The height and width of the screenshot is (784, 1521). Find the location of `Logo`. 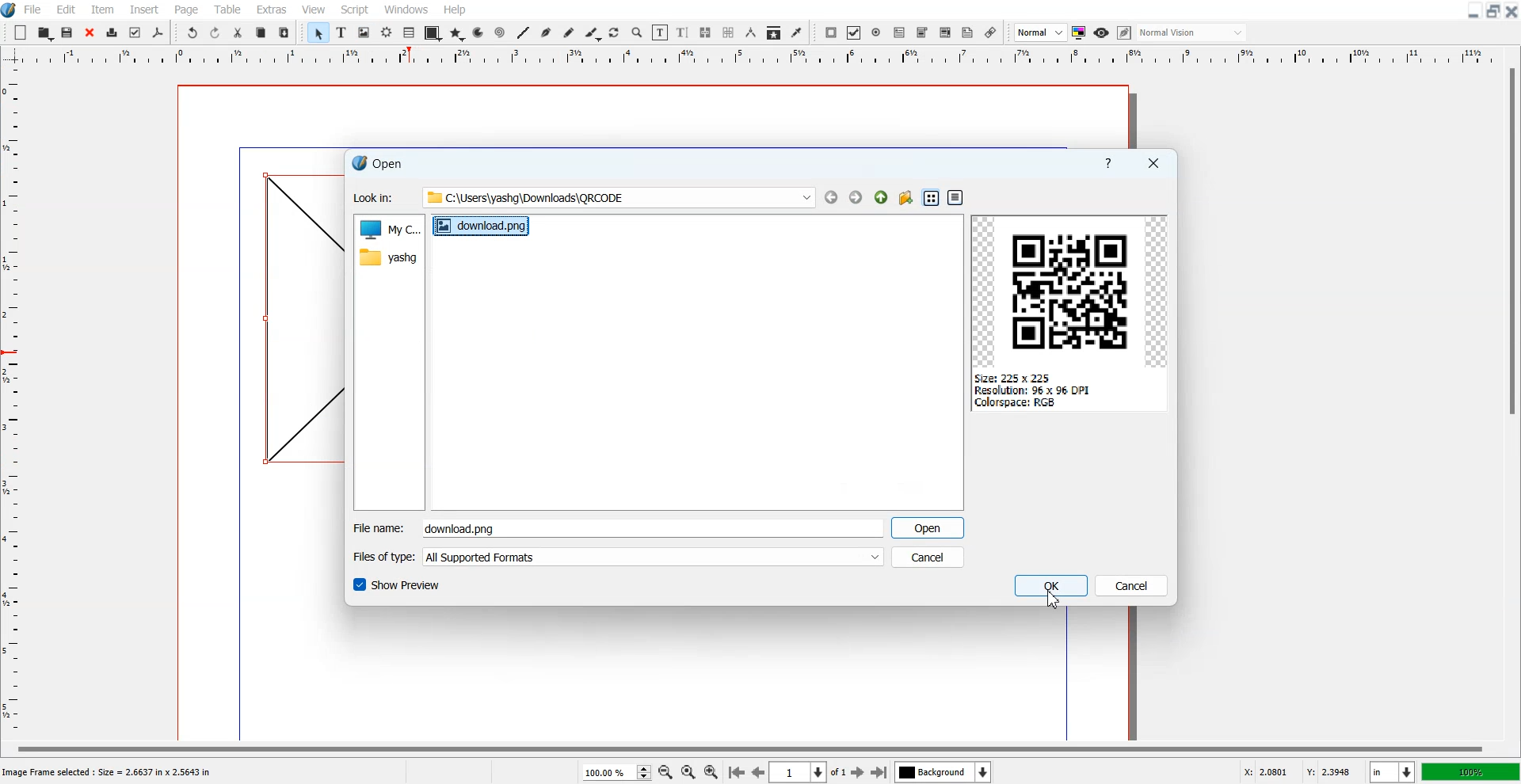

Logo is located at coordinates (10, 10).